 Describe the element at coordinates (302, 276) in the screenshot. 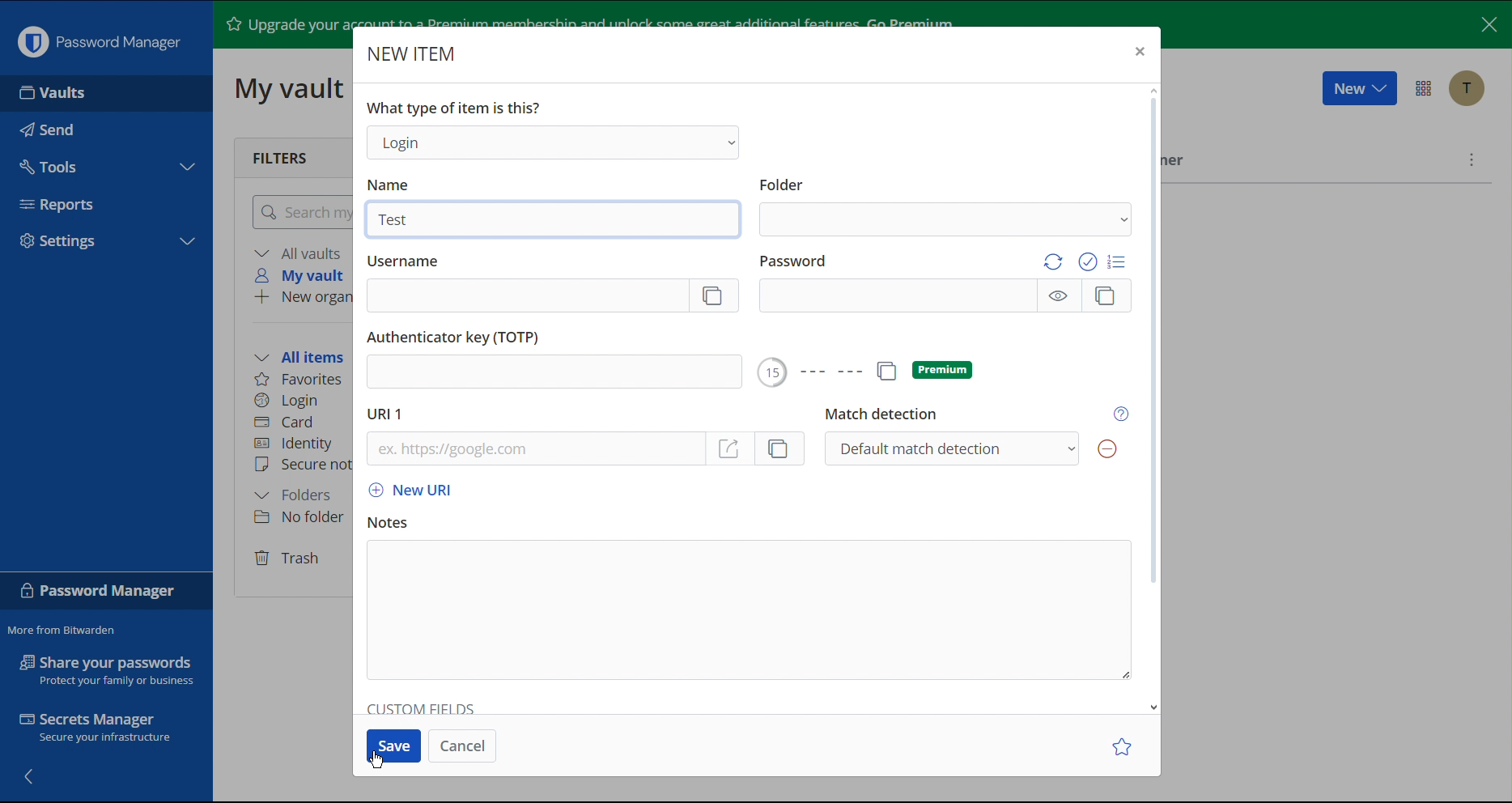

I see `My vault` at that location.